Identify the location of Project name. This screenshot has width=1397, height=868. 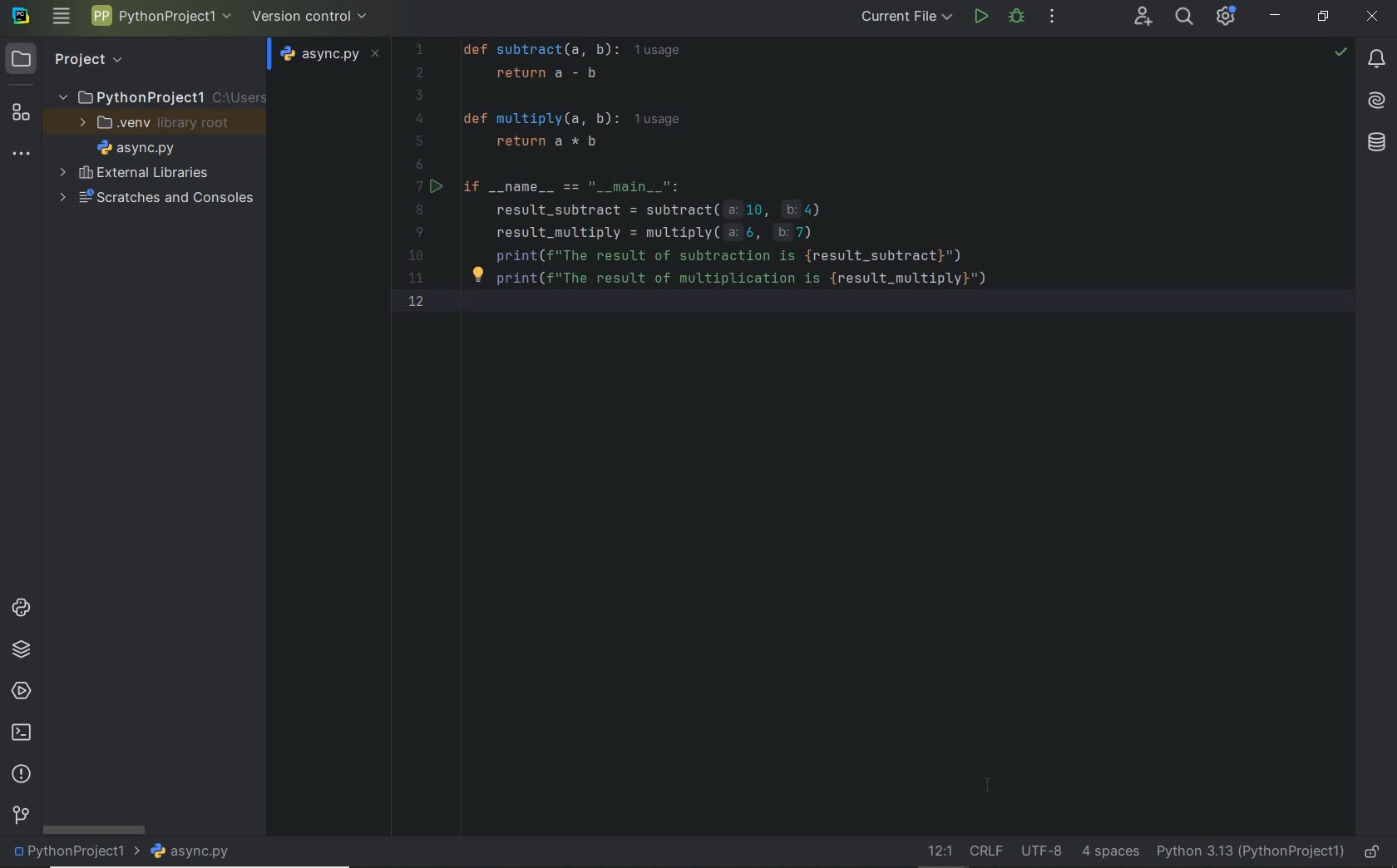
(161, 19).